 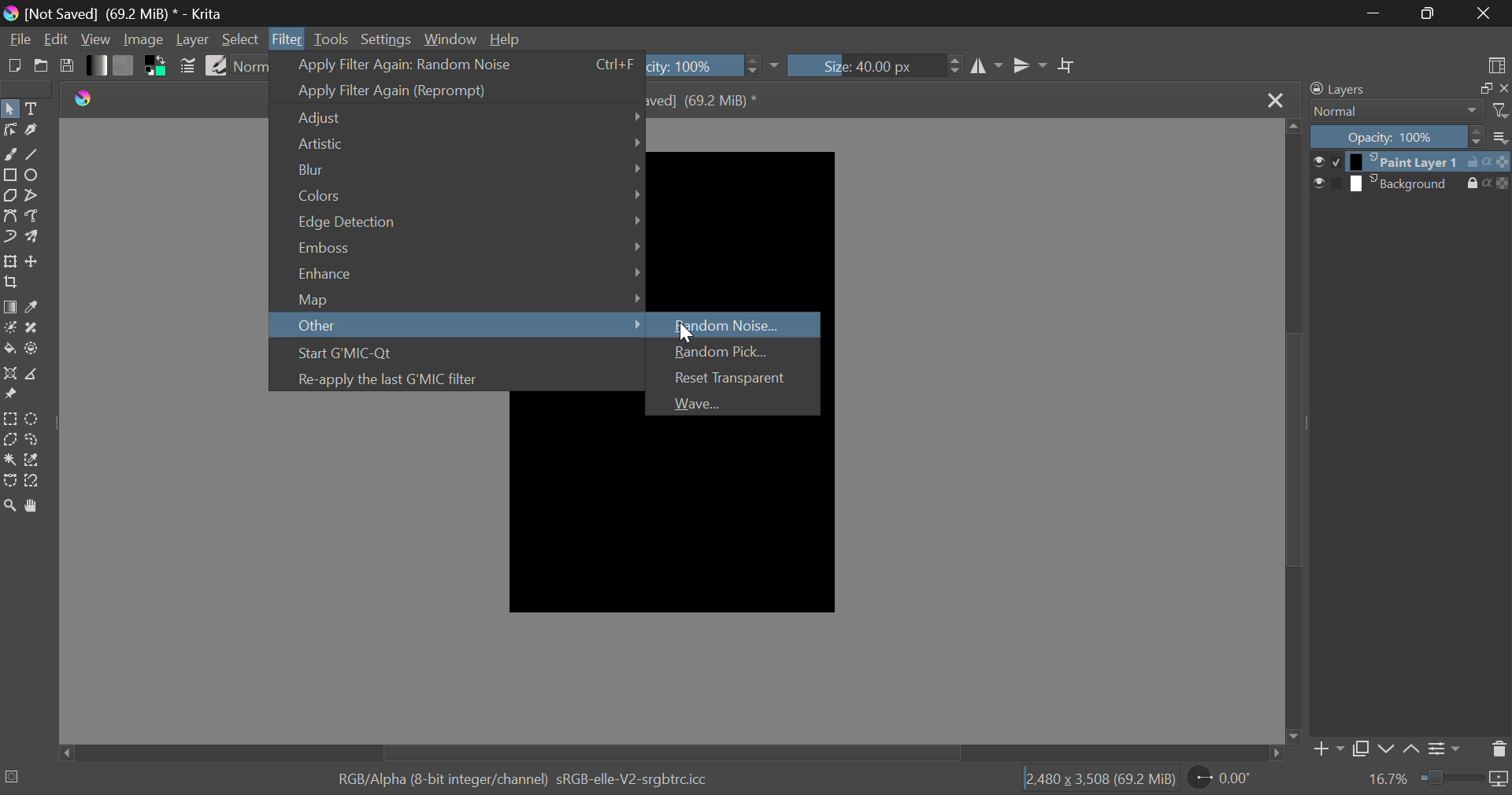 I want to click on Similar Color Selector, so click(x=34, y=462).